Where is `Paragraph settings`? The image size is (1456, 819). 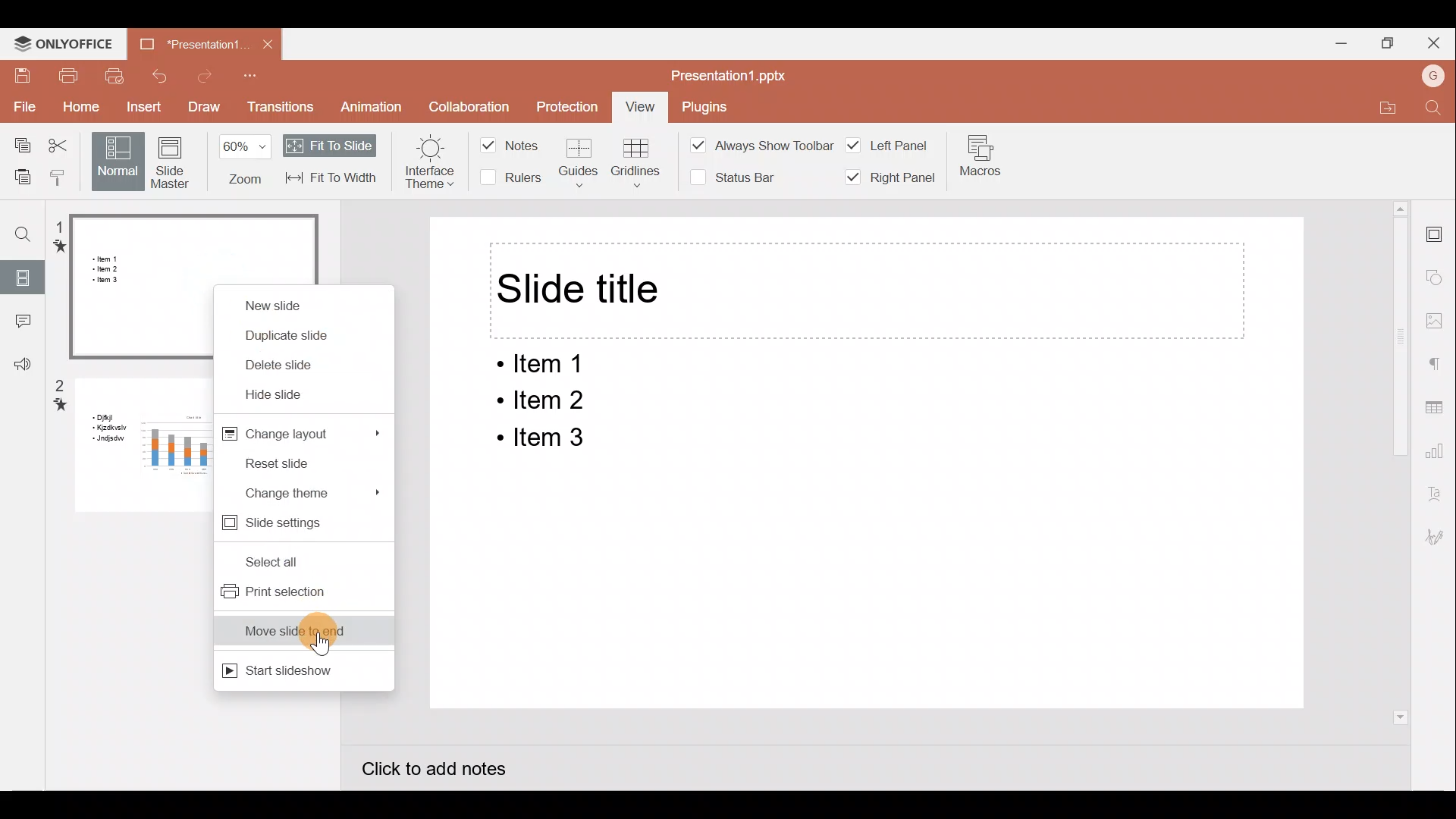 Paragraph settings is located at coordinates (1439, 362).